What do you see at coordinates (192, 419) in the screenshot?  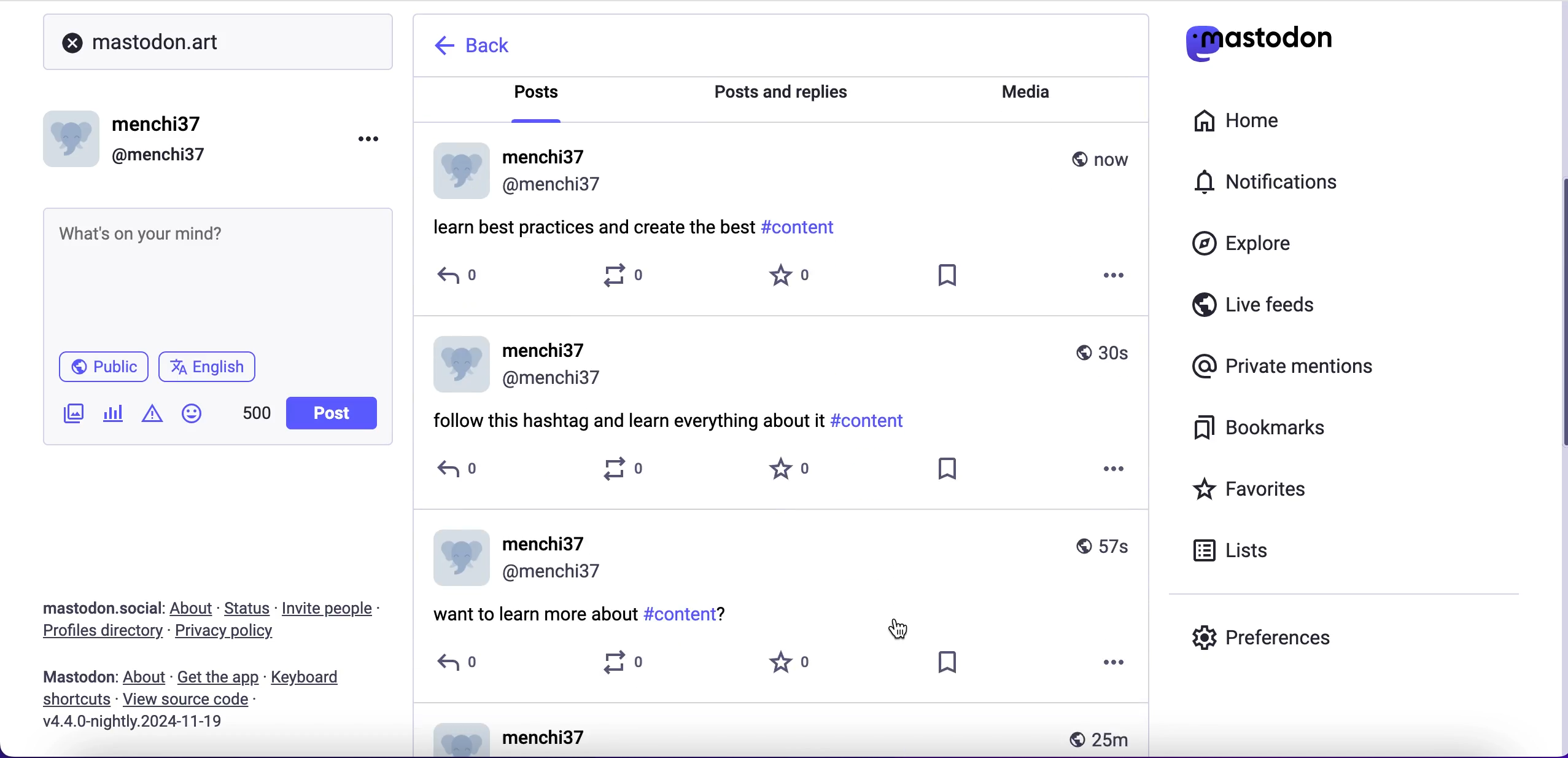 I see `add emoji` at bounding box center [192, 419].